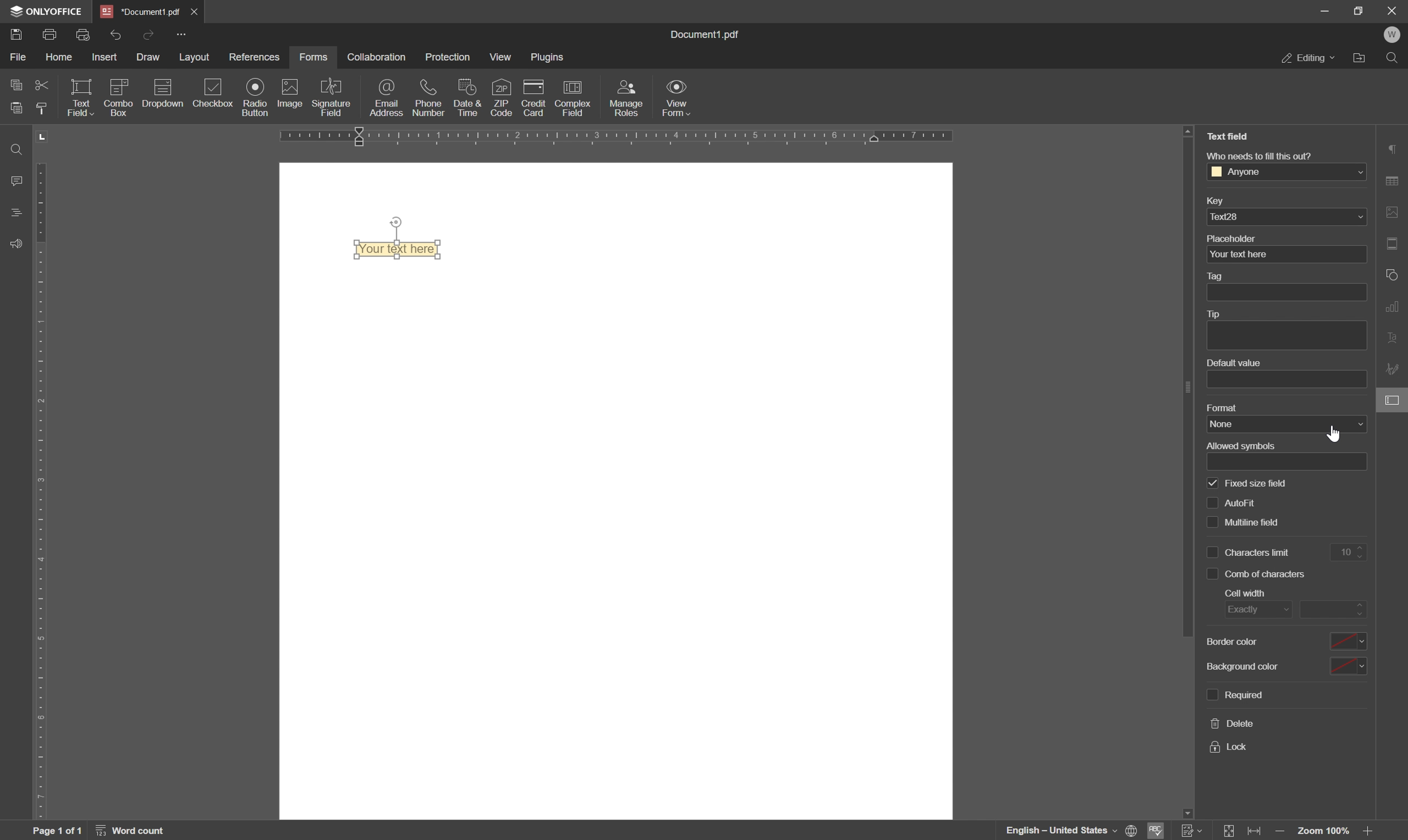 The width and height of the screenshot is (1408, 840). Describe the element at coordinates (164, 86) in the screenshot. I see `icon` at that location.